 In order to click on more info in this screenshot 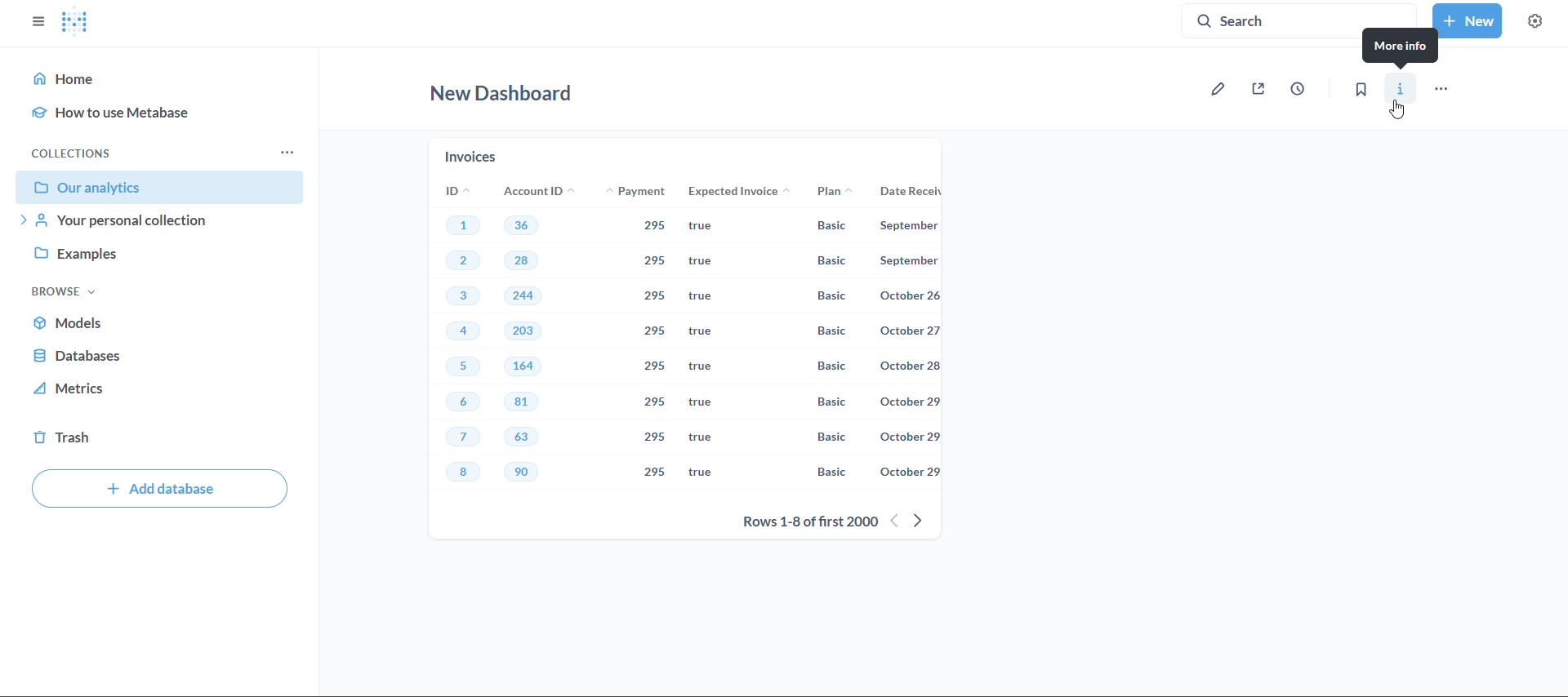, I will do `click(1400, 90)`.